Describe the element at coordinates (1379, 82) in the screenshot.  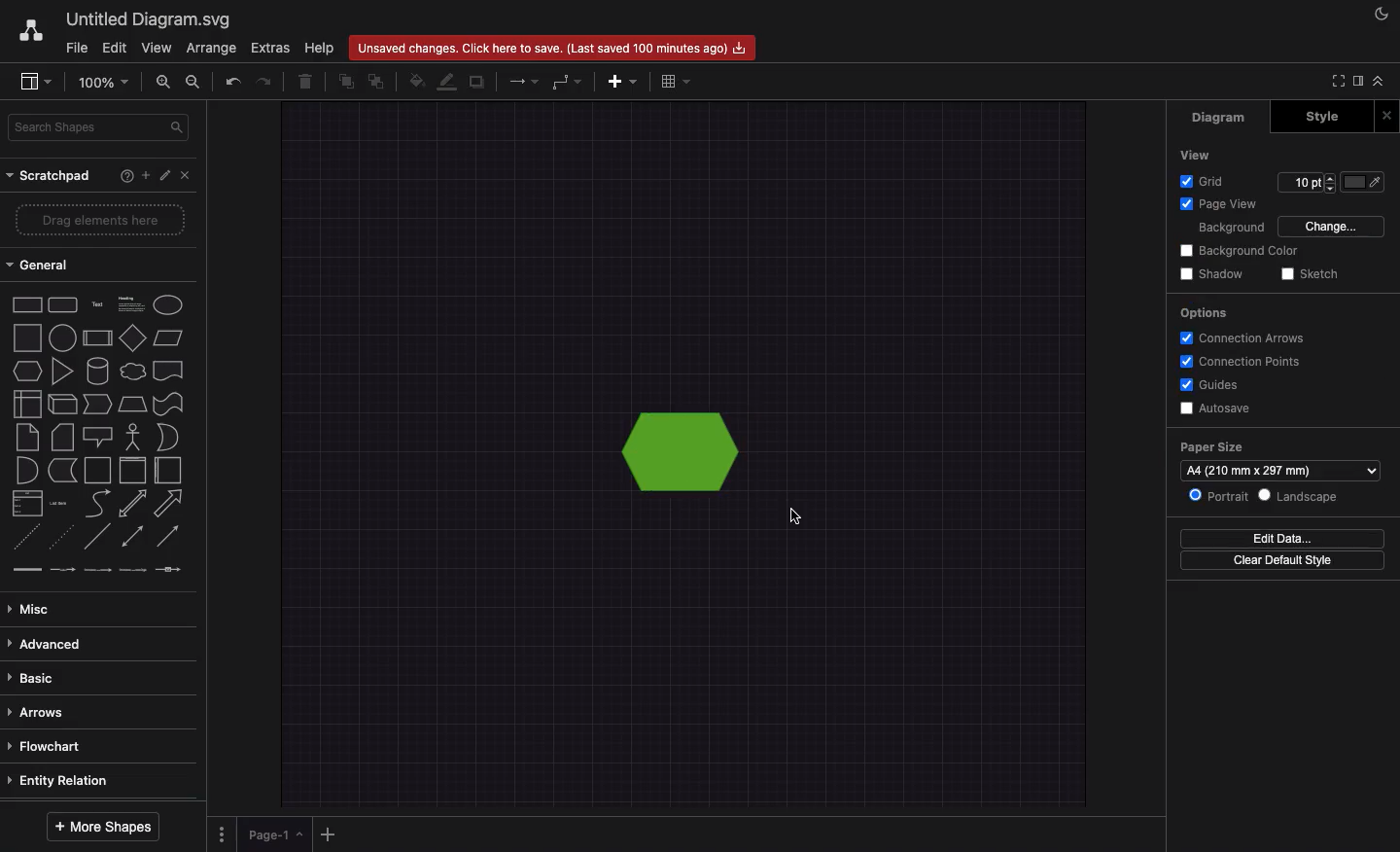
I see `Collapse` at that location.